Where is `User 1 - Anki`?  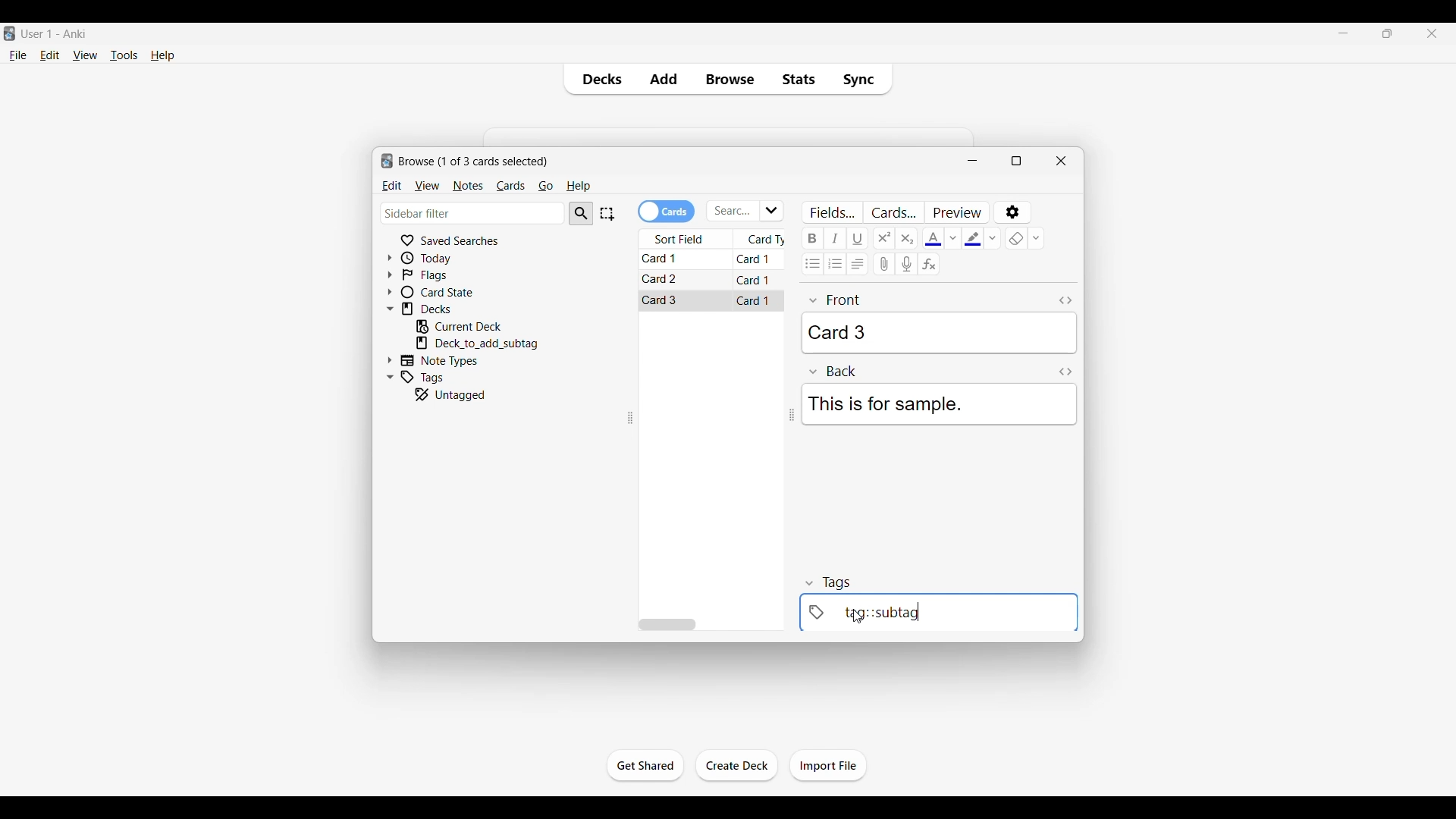 User 1 - Anki is located at coordinates (55, 33).